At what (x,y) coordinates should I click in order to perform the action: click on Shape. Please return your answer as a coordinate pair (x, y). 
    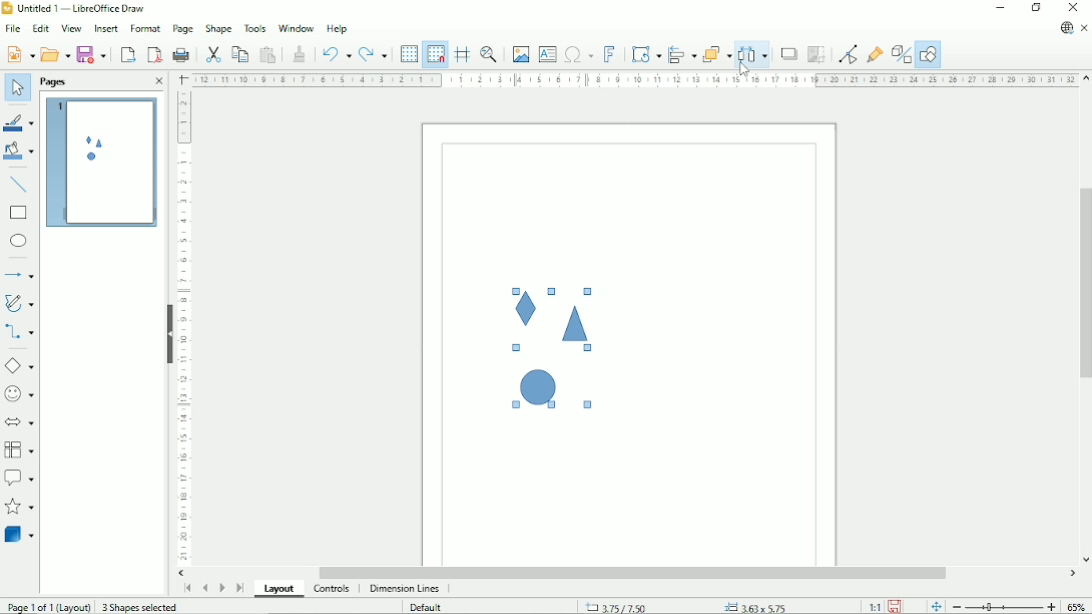
    Looking at the image, I should click on (218, 29).